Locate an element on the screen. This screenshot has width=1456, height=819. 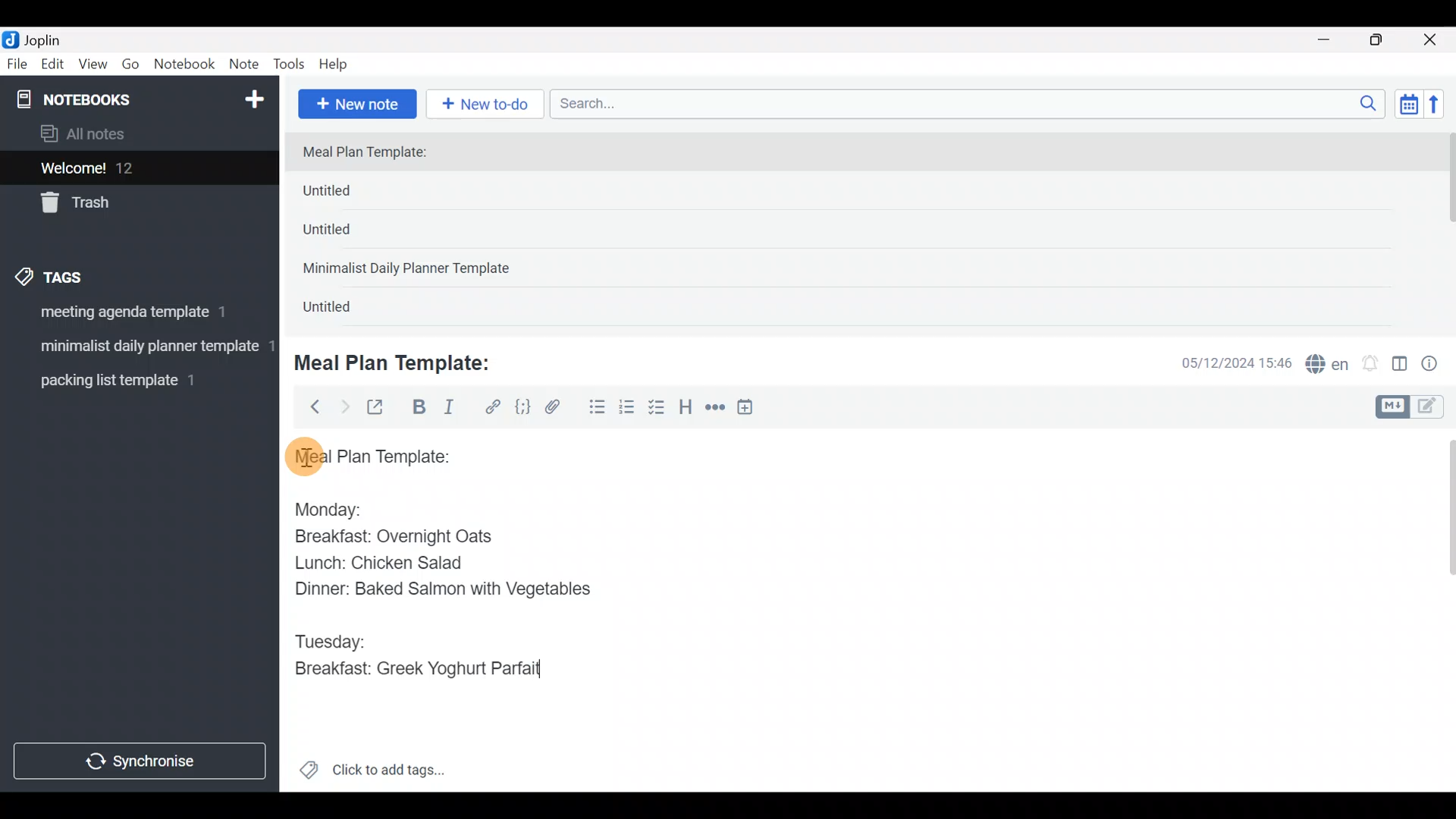
Trash is located at coordinates (130, 204).